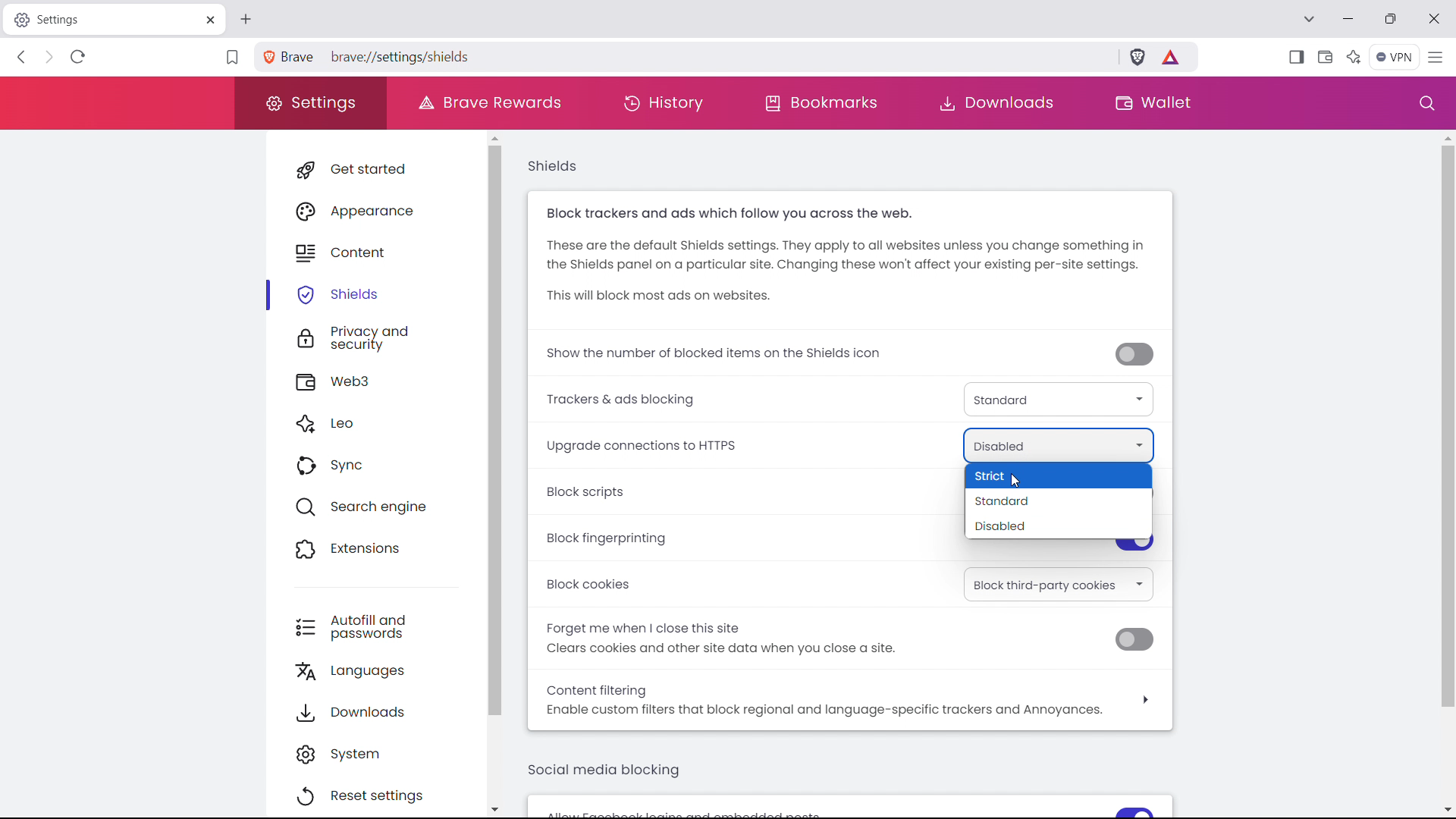  Describe the element at coordinates (497, 102) in the screenshot. I see `brave rewards` at that location.